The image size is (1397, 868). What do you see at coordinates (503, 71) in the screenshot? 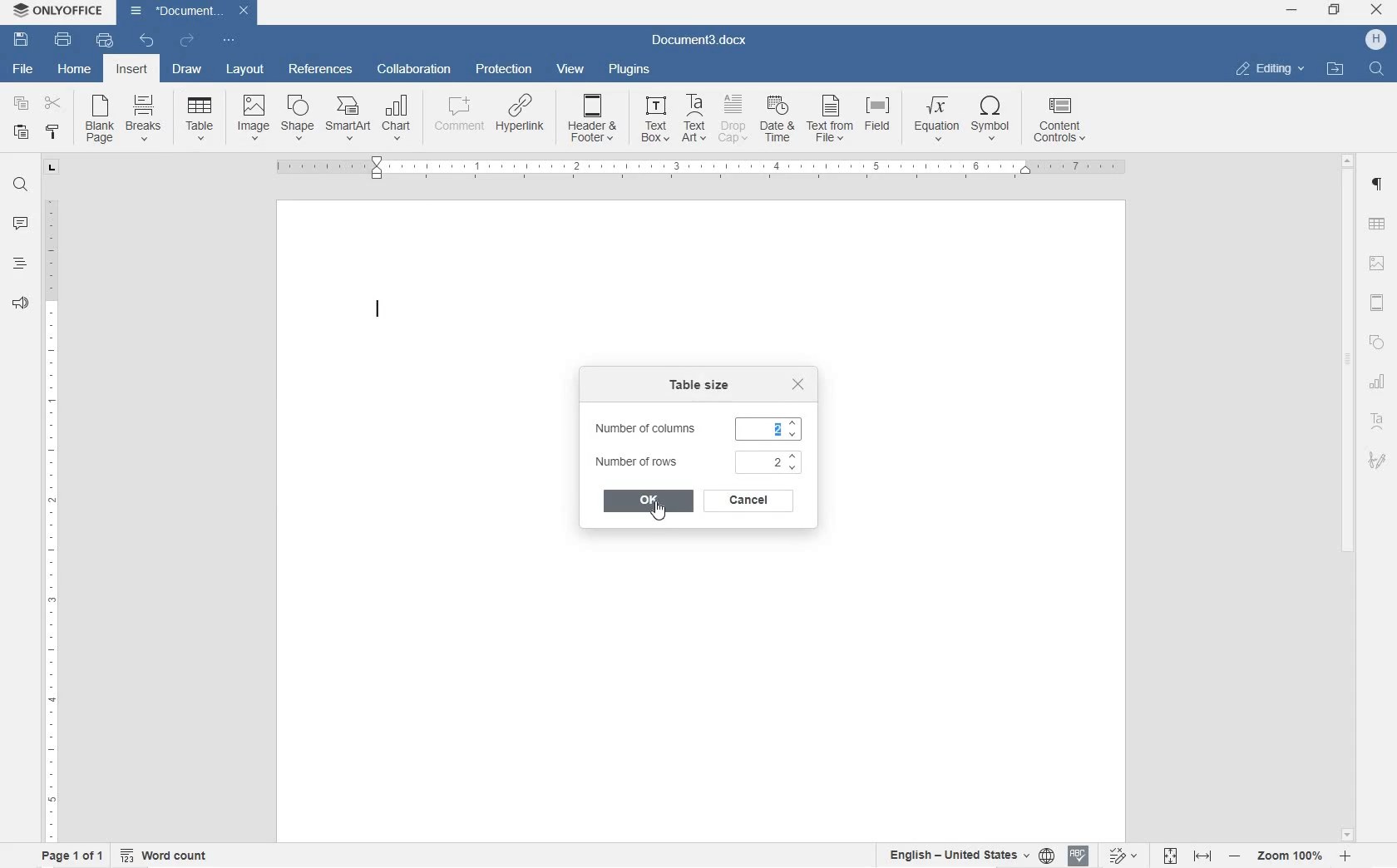
I see `PROTECTION` at bounding box center [503, 71].